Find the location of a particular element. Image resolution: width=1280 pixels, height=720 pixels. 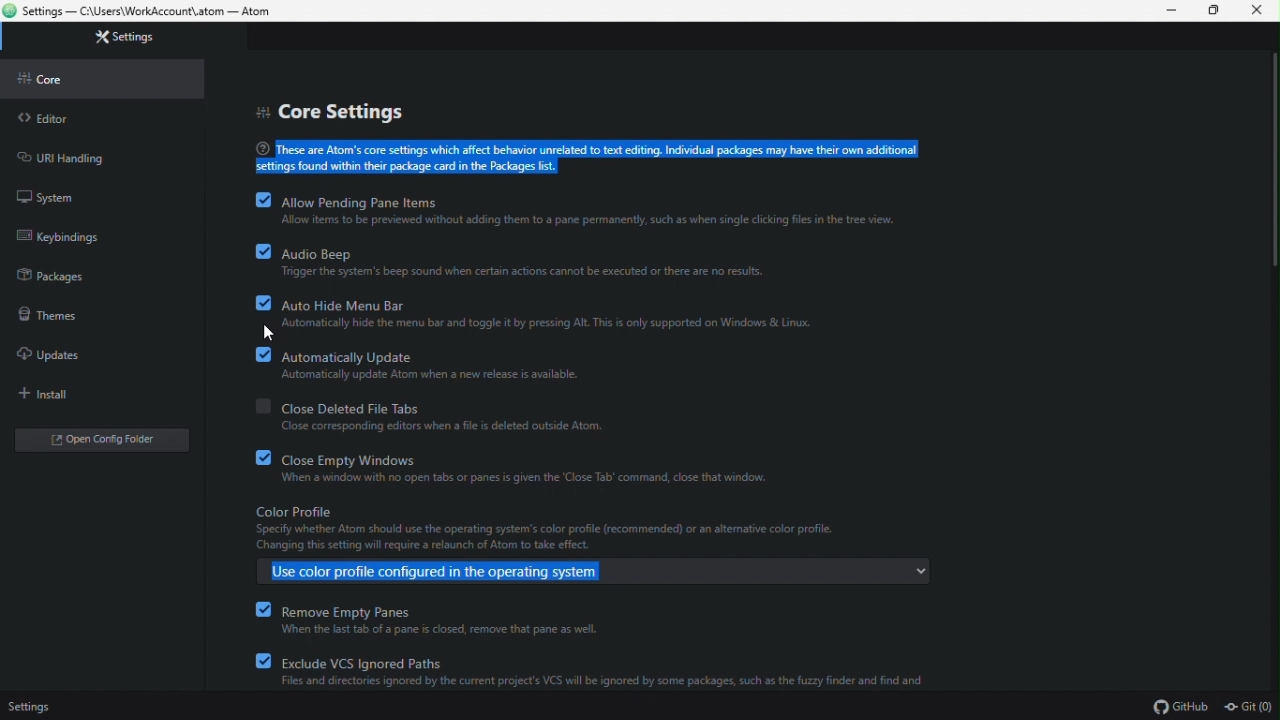

minimize is located at coordinates (1171, 10).